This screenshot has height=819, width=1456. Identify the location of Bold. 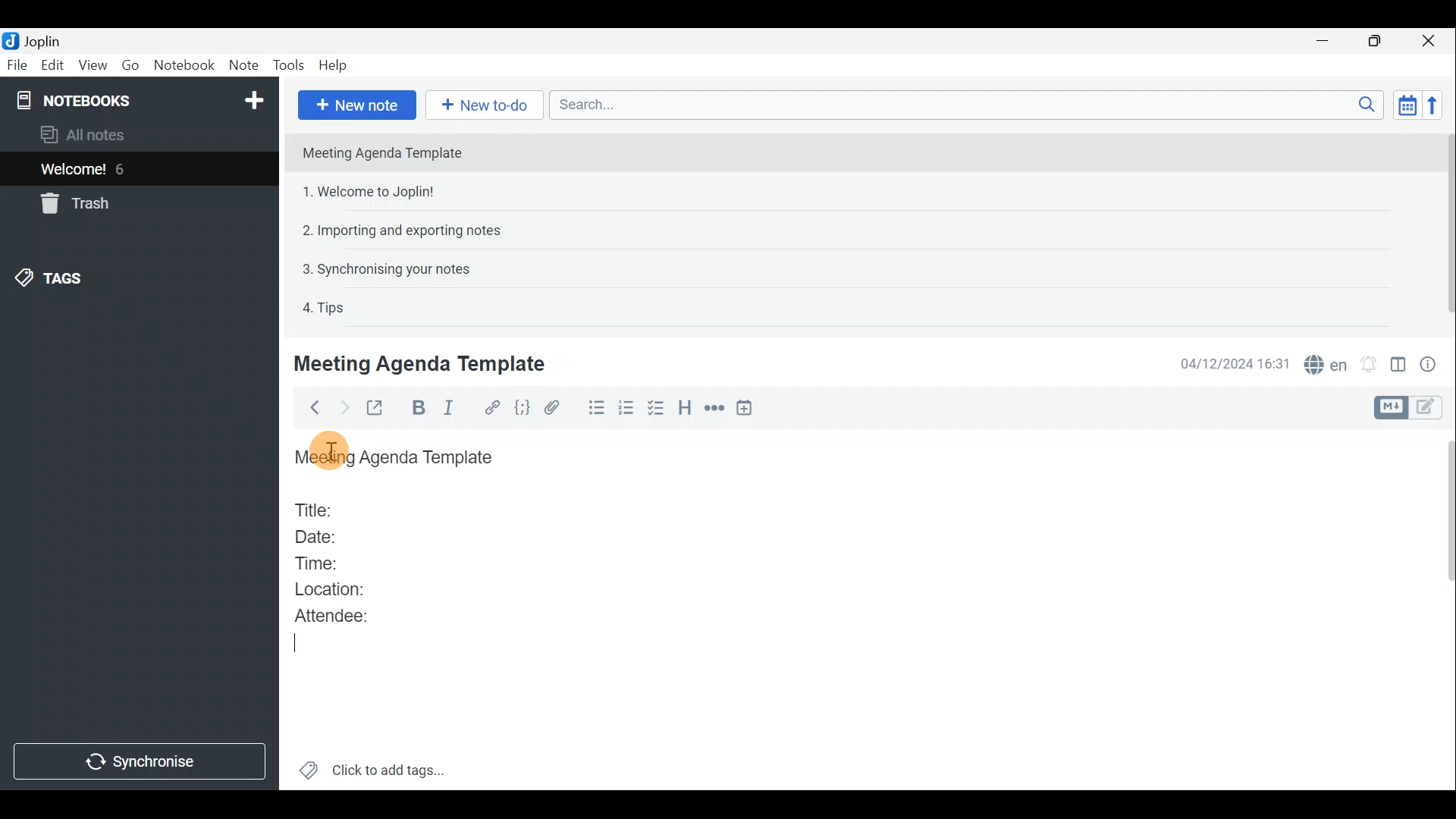
(417, 408).